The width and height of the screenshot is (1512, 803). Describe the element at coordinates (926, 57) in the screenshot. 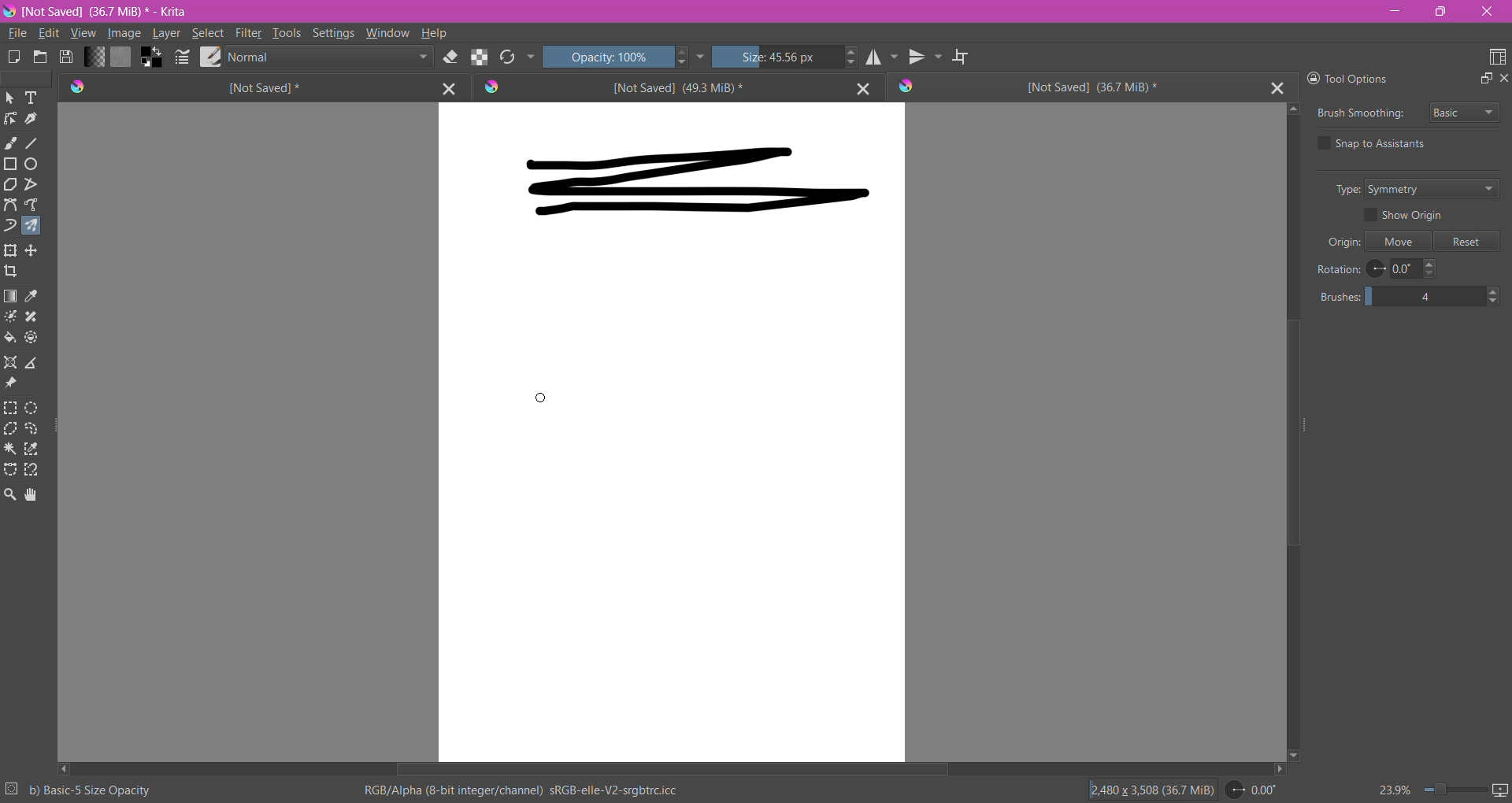

I see `Vertical Mirror Tool` at that location.